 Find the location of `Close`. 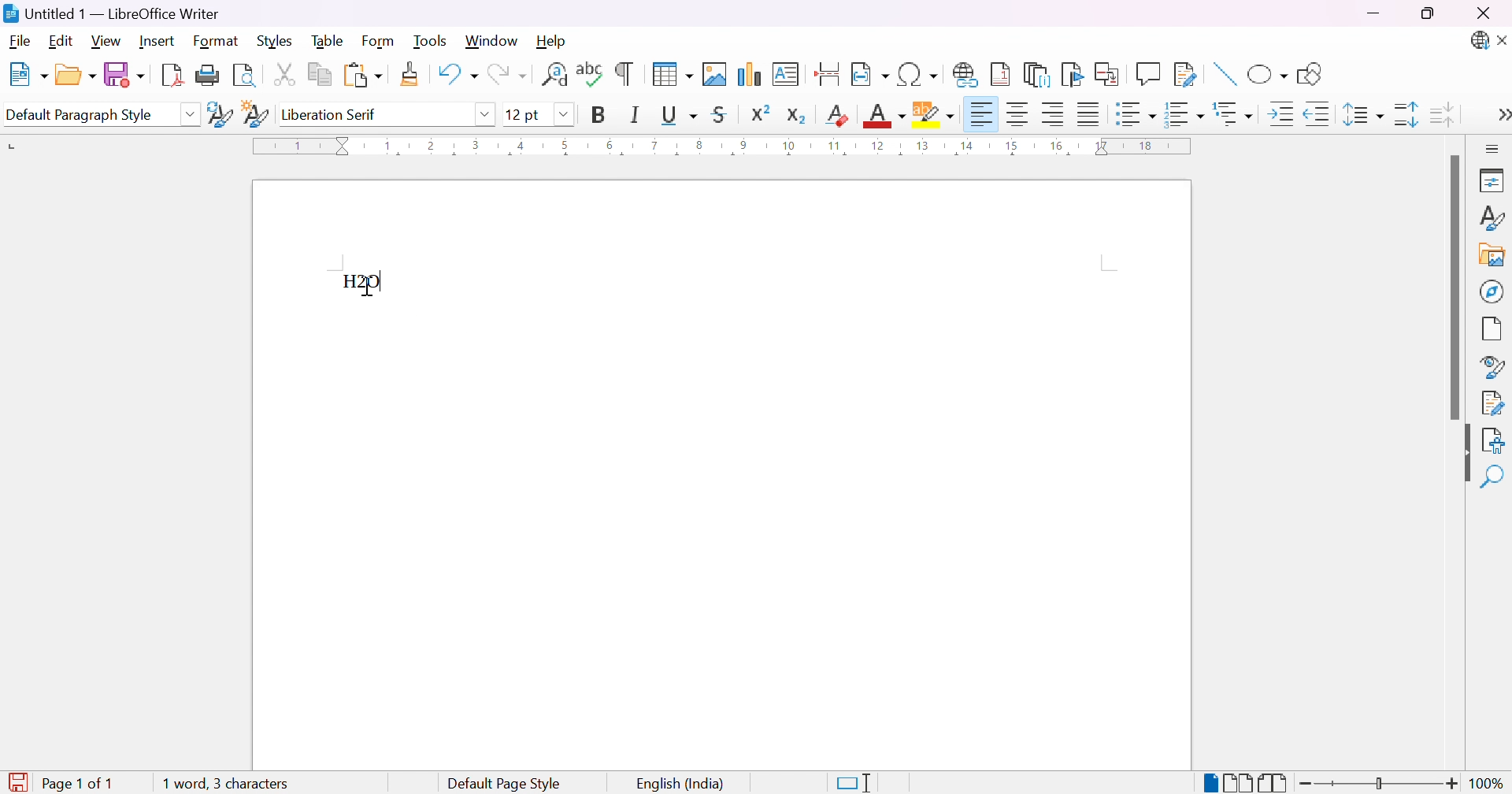

Close is located at coordinates (1483, 14).